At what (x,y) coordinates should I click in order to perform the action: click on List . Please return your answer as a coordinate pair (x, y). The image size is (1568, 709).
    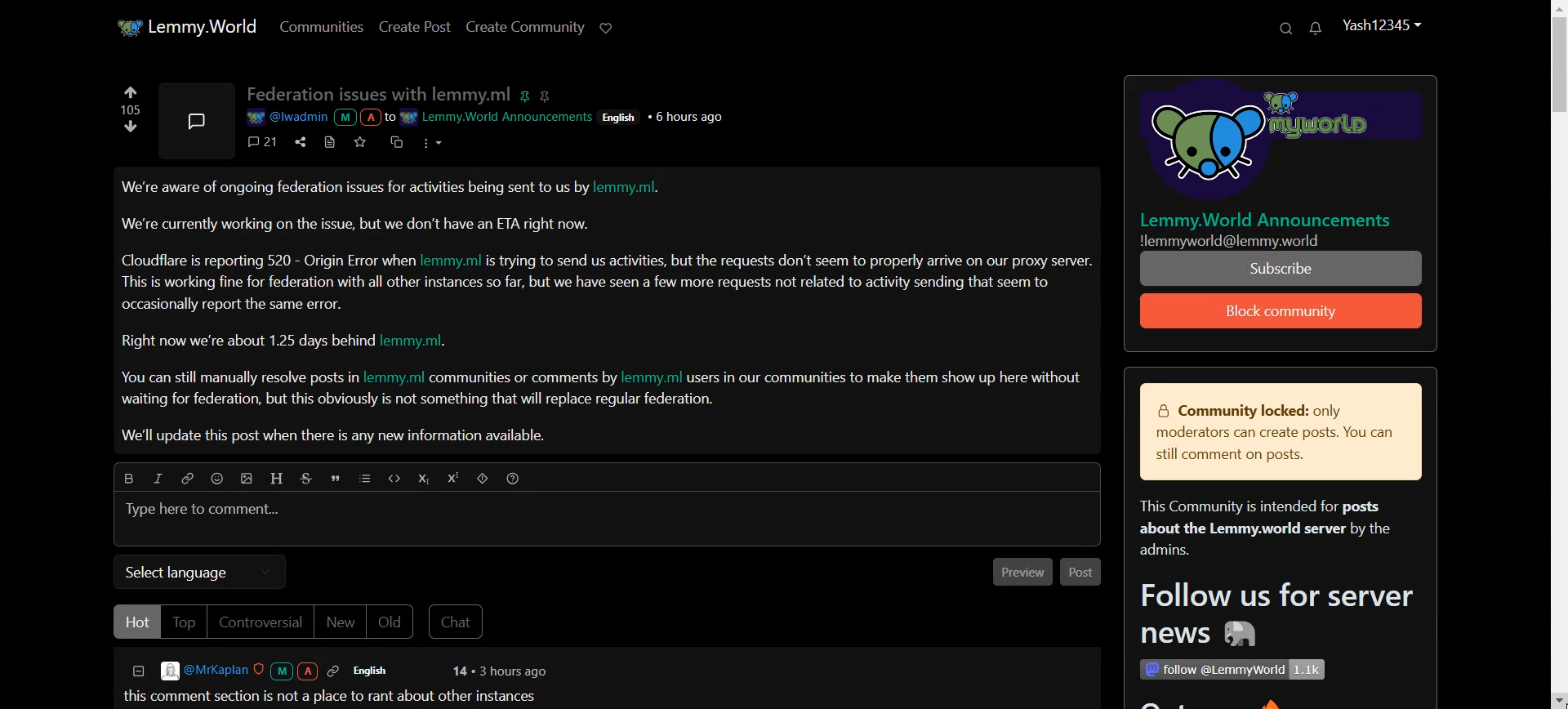
    Looking at the image, I should click on (366, 478).